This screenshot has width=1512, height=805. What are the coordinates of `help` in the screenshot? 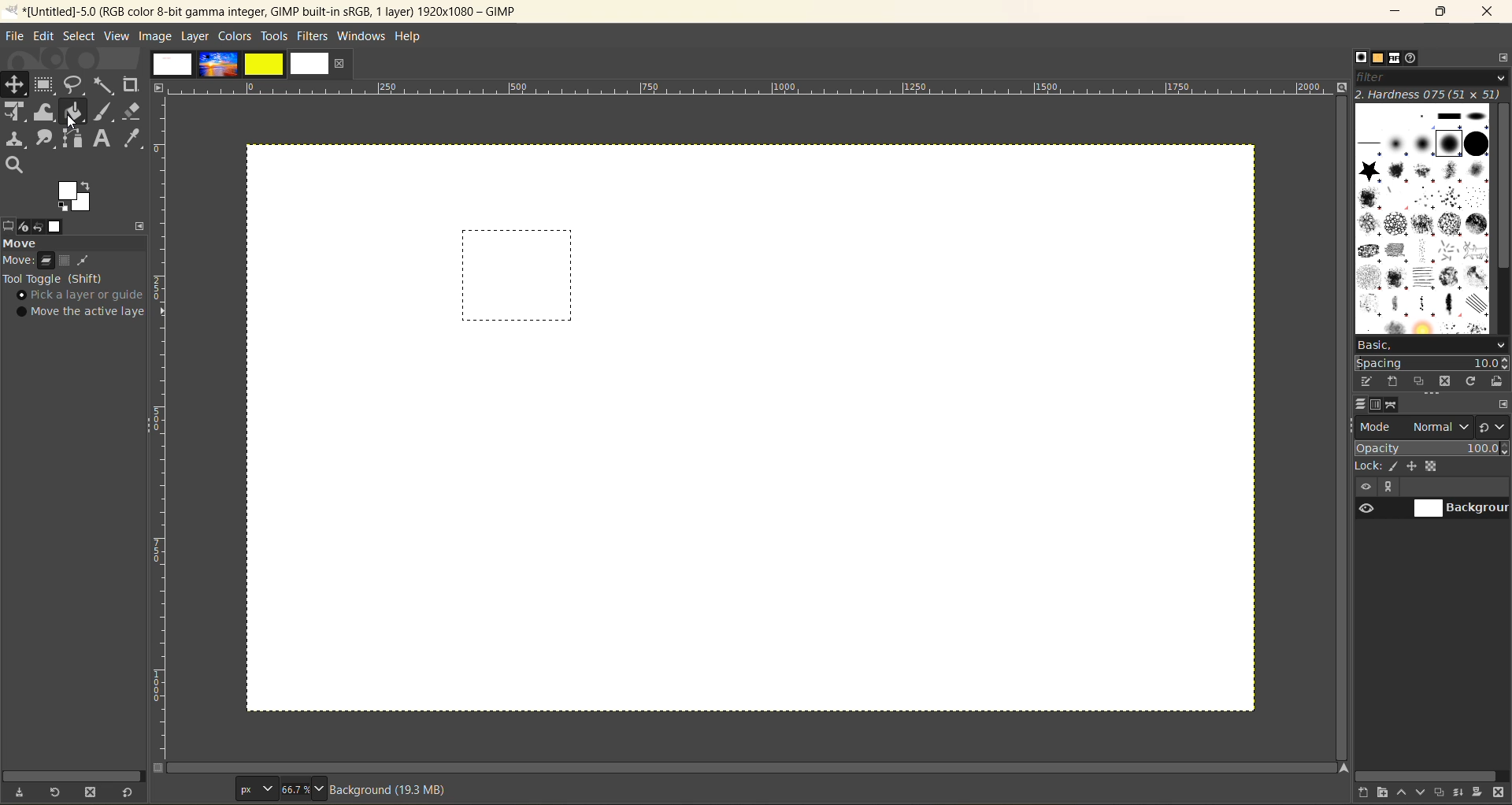 It's located at (413, 35).